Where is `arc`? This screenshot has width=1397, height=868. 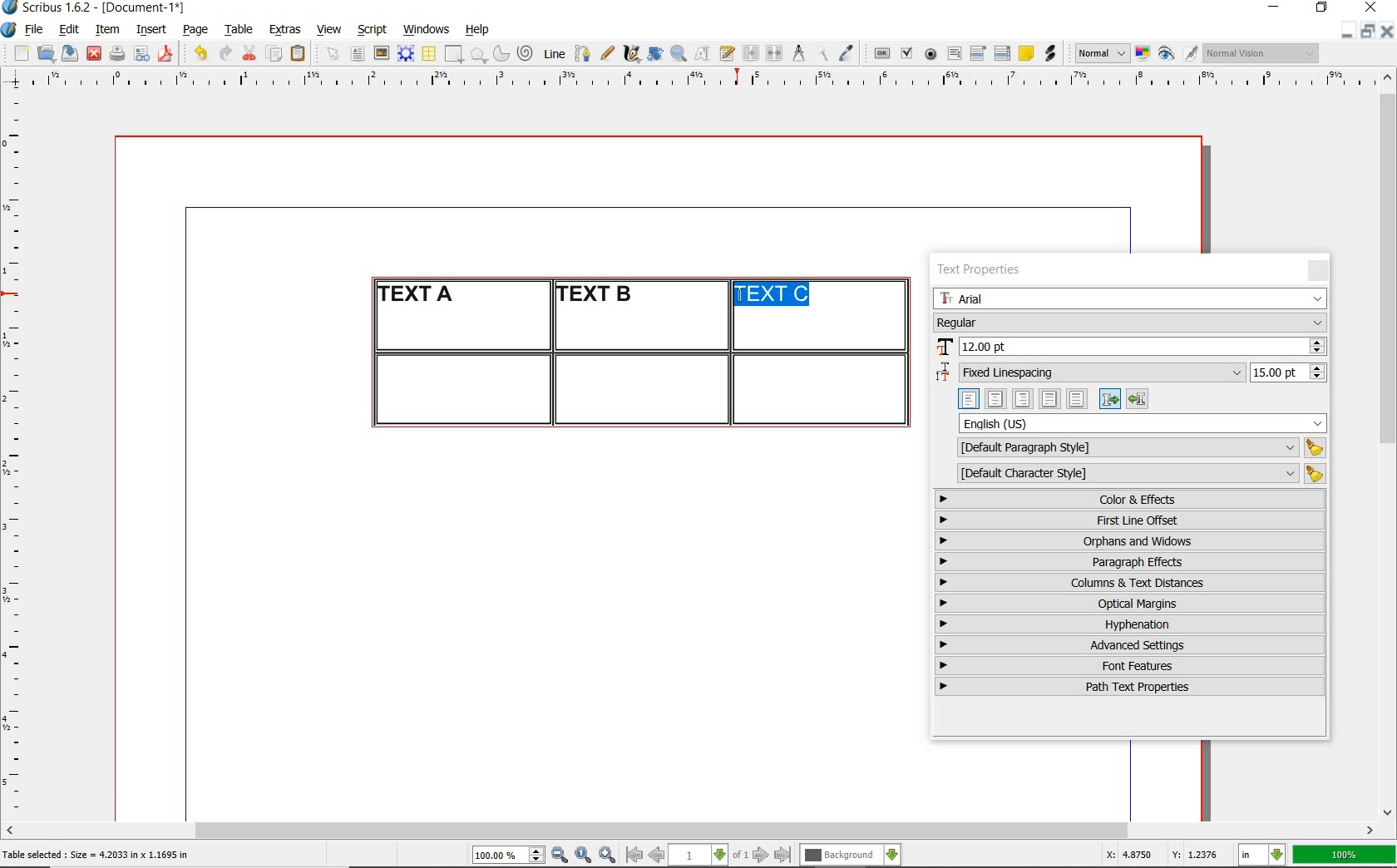
arc is located at coordinates (501, 53).